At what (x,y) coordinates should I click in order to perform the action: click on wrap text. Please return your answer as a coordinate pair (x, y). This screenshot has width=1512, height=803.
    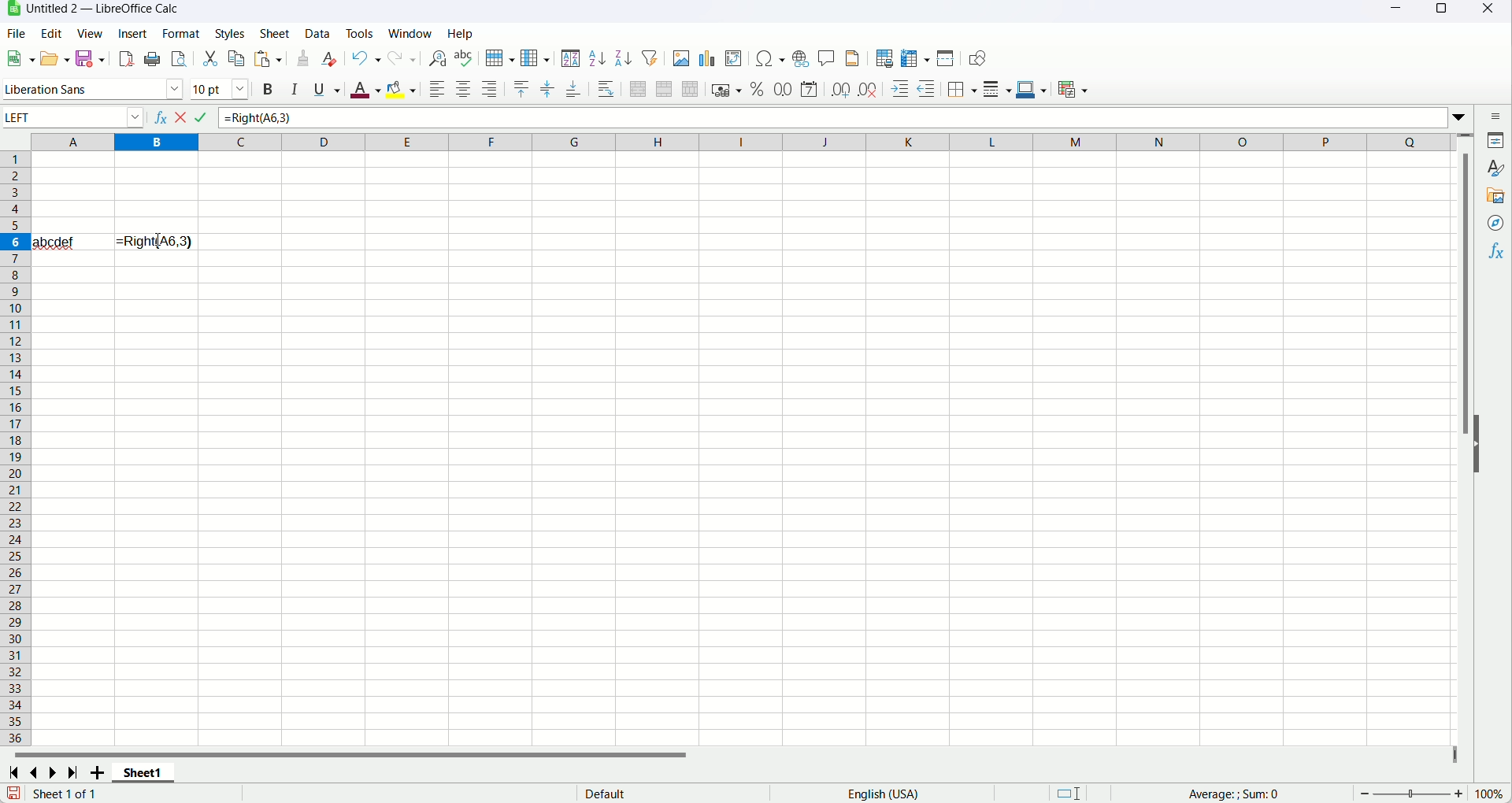
    Looking at the image, I should click on (607, 89).